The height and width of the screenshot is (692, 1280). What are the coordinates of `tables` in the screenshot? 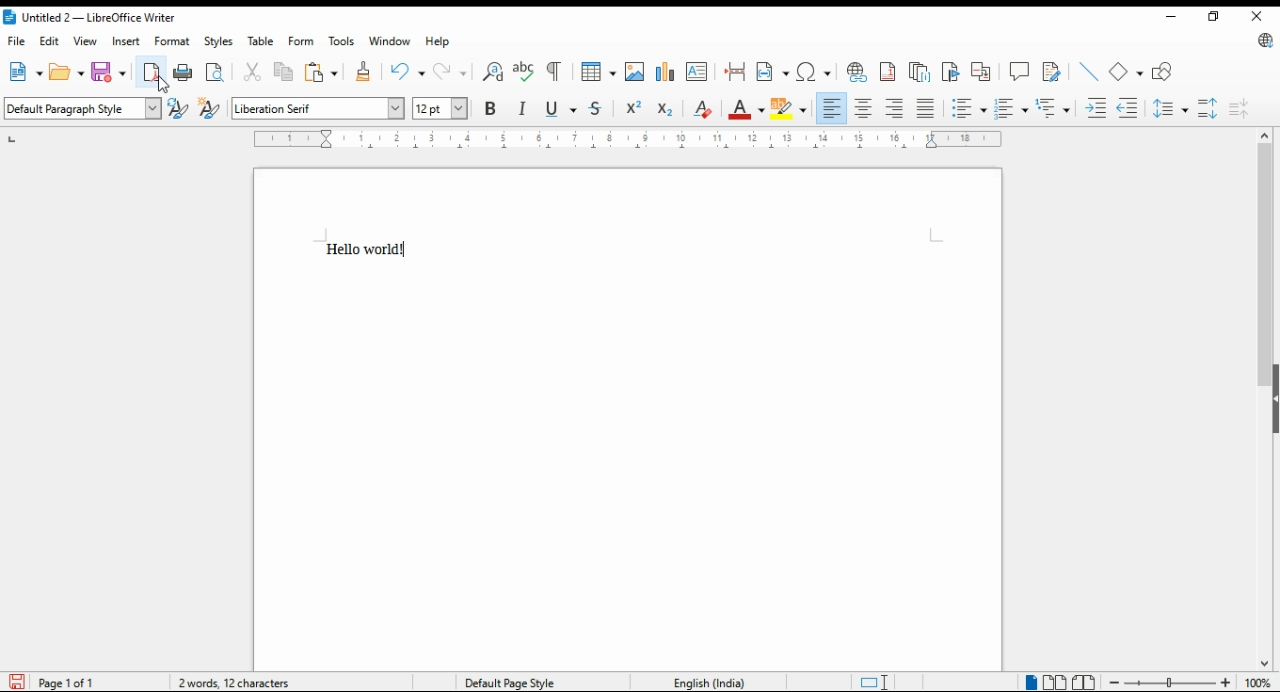 It's located at (263, 42).